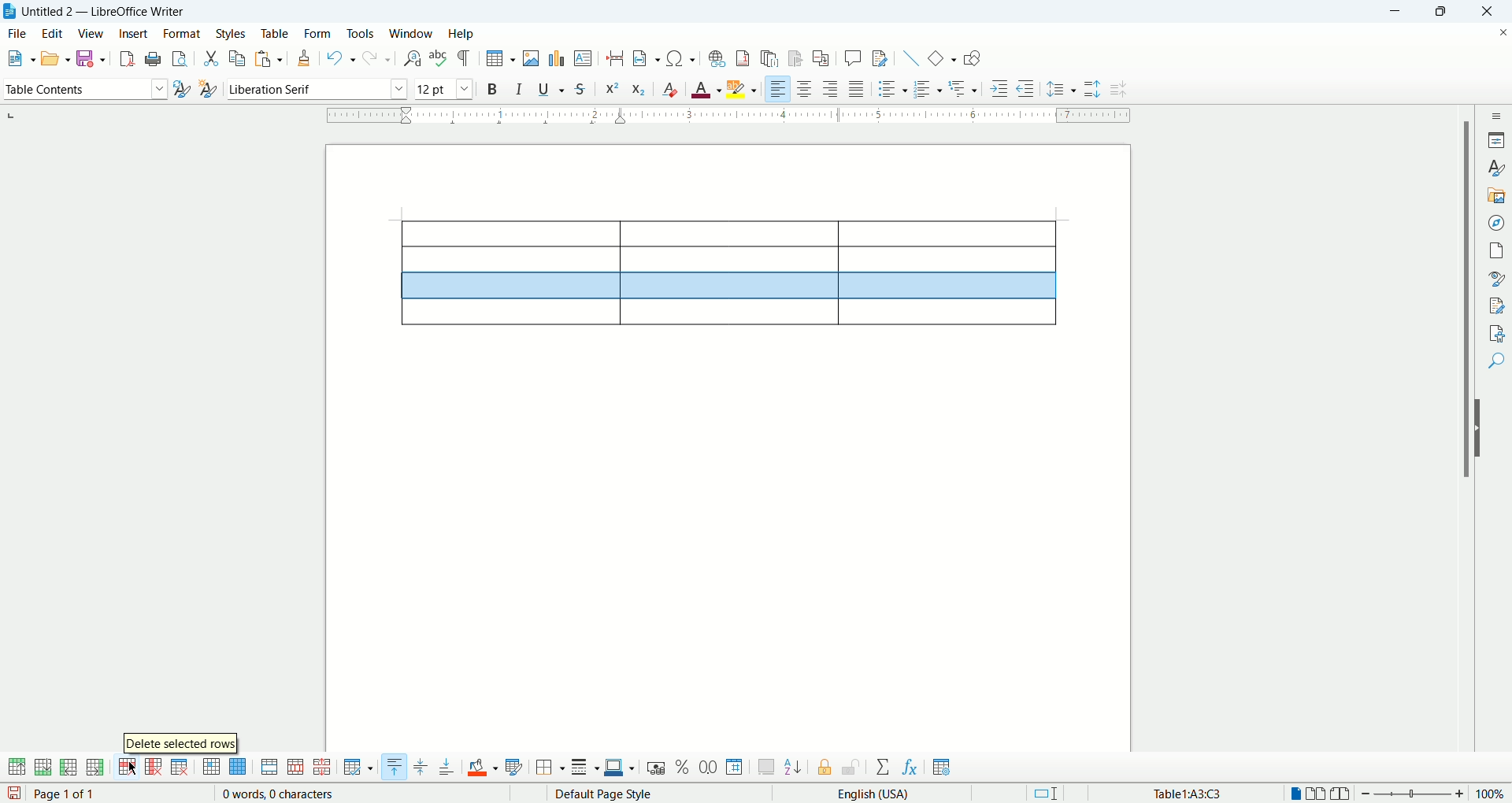 Image resolution: width=1512 pixels, height=803 pixels. I want to click on decrease indent, so click(1025, 88).